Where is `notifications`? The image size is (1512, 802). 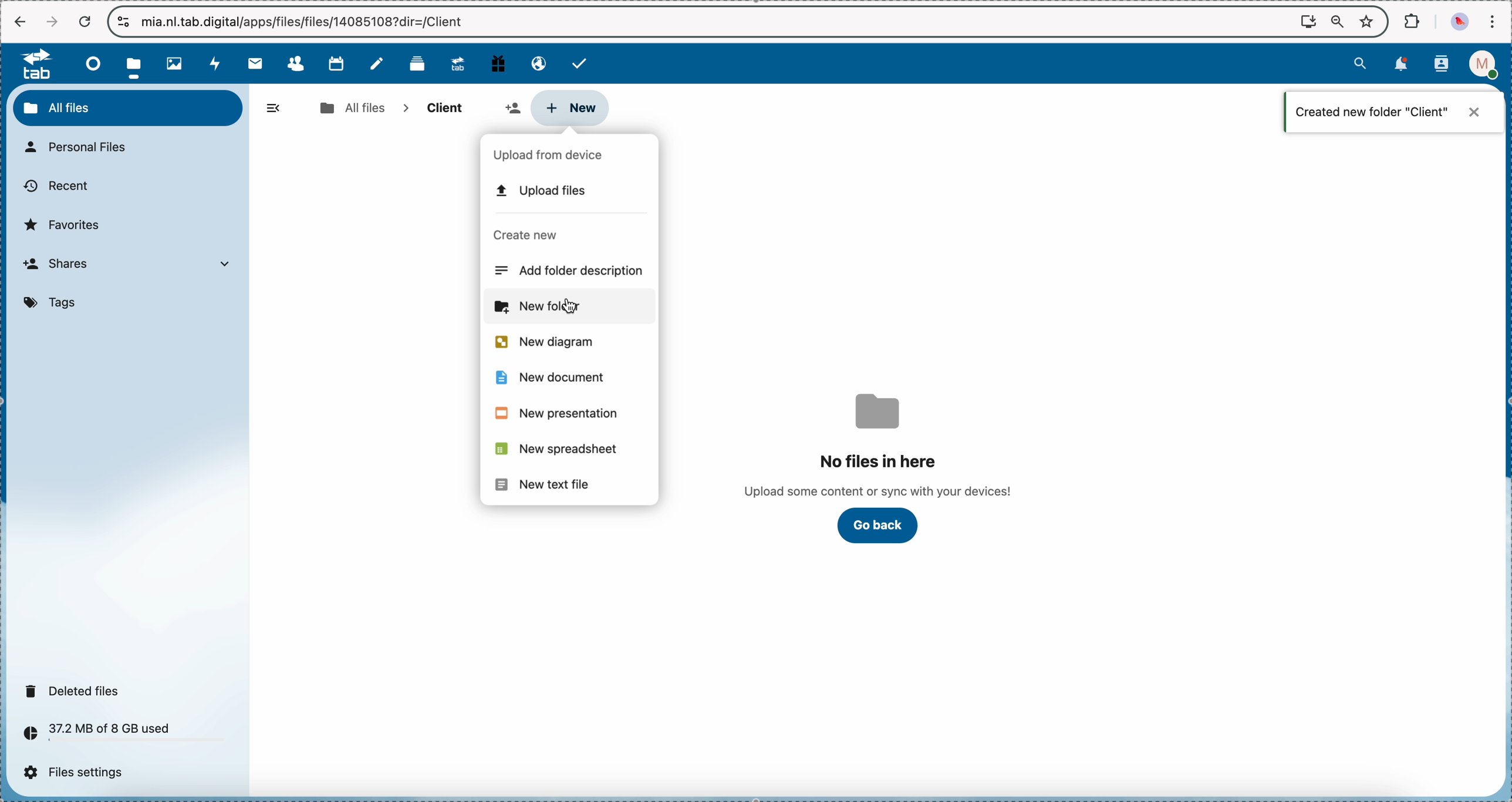
notifications is located at coordinates (1399, 65).